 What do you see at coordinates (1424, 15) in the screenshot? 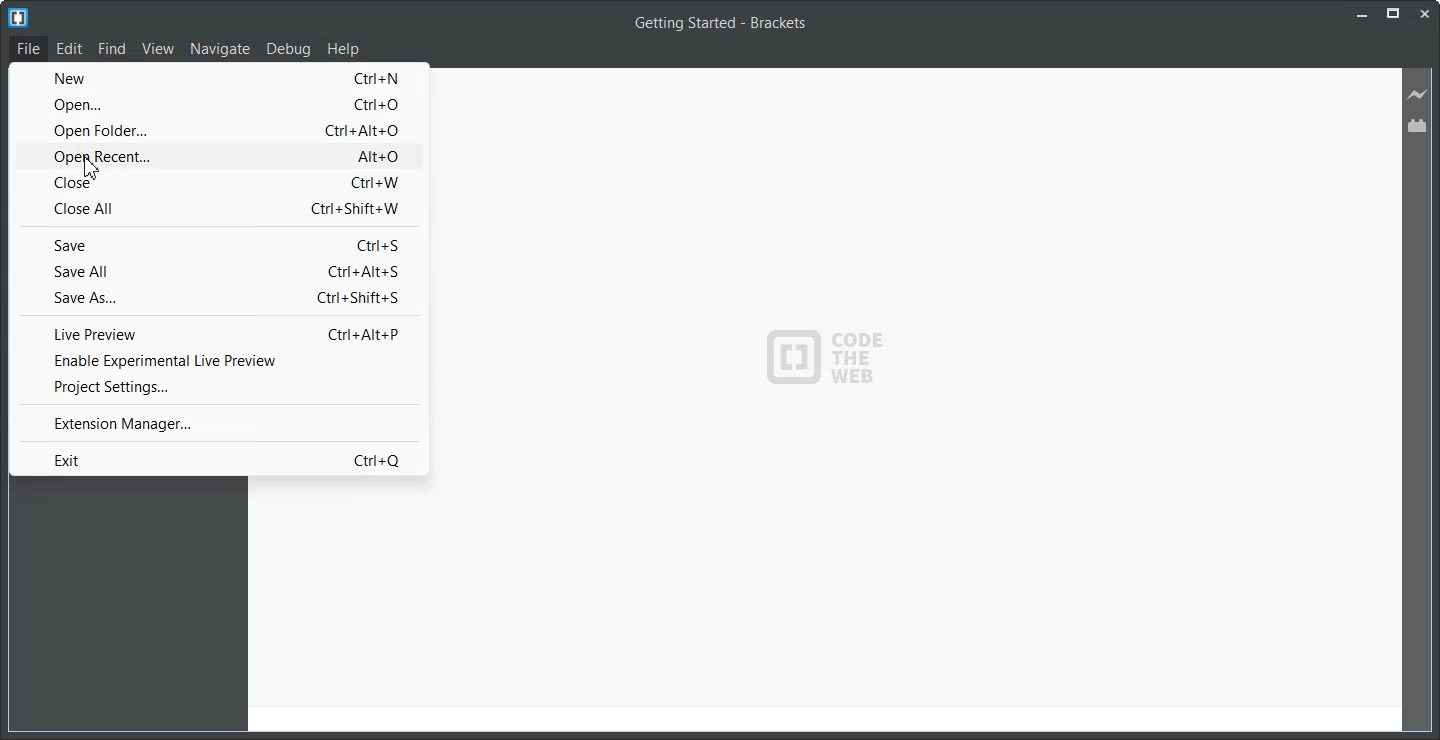
I see `Close` at bounding box center [1424, 15].